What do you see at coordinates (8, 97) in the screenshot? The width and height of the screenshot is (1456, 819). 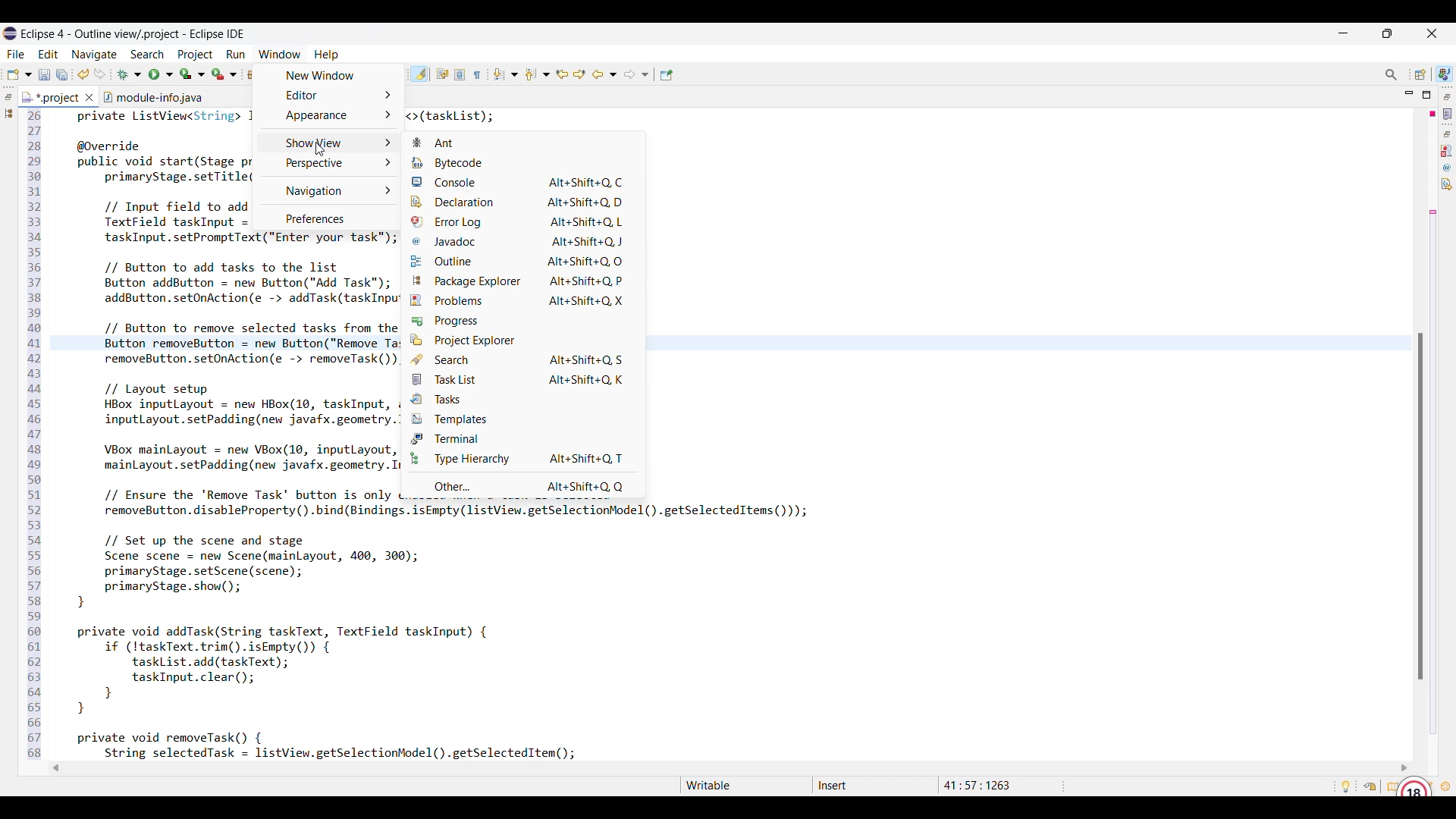 I see `Restore` at bounding box center [8, 97].